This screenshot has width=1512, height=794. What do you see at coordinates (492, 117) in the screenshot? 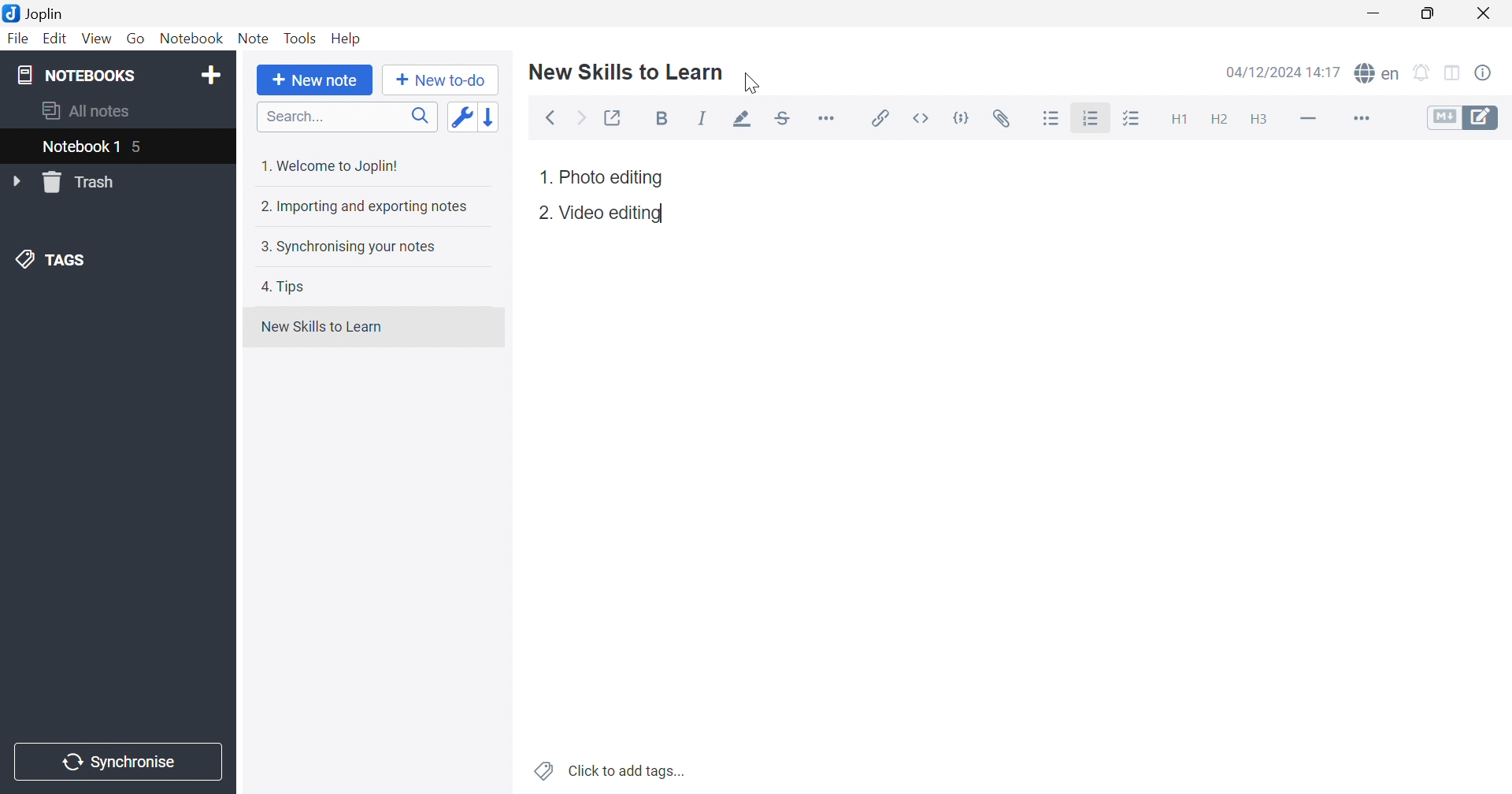
I see `Reverse sort order` at bounding box center [492, 117].